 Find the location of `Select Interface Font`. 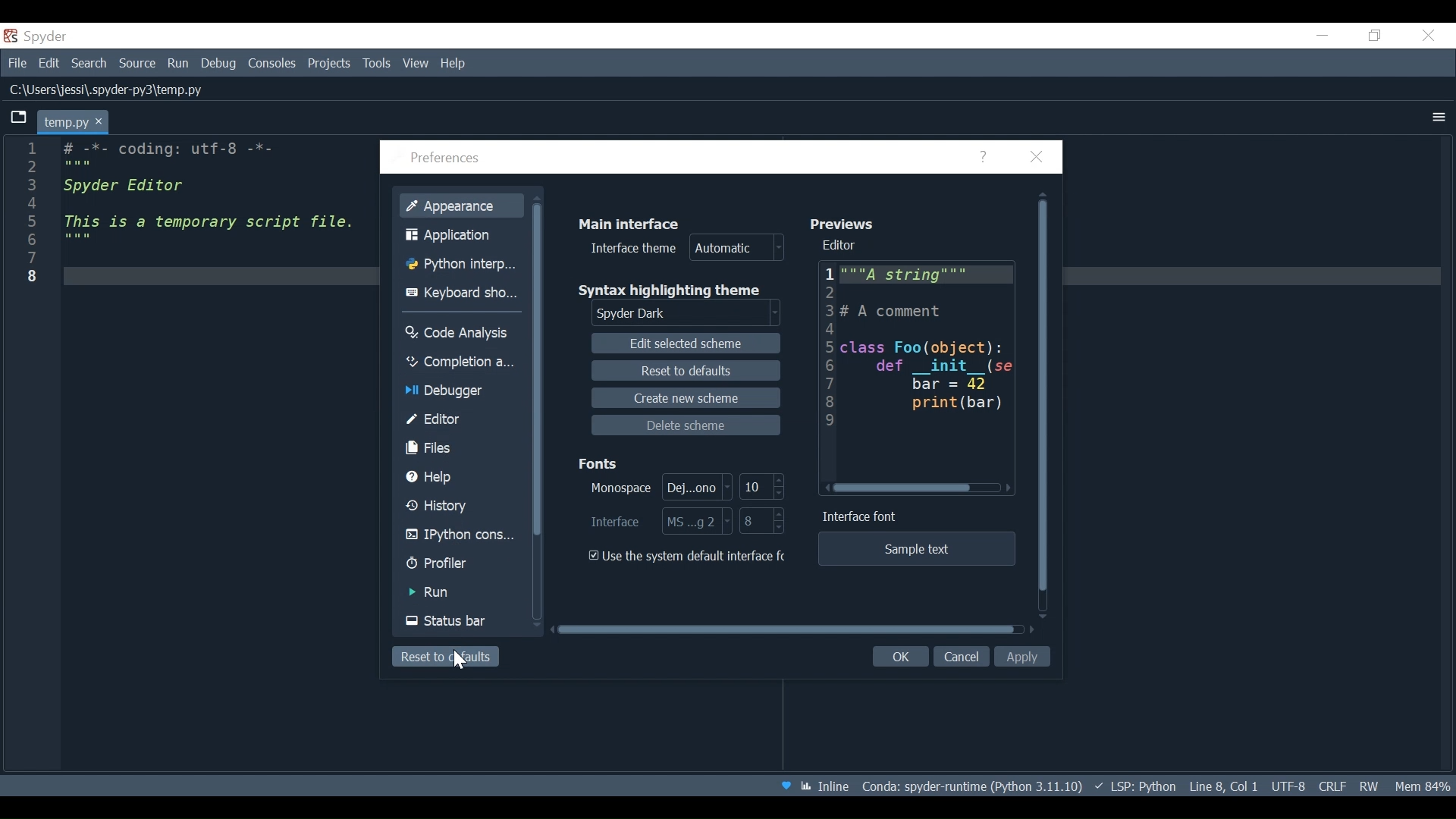

Select Interface Font is located at coordinates (661, 522).